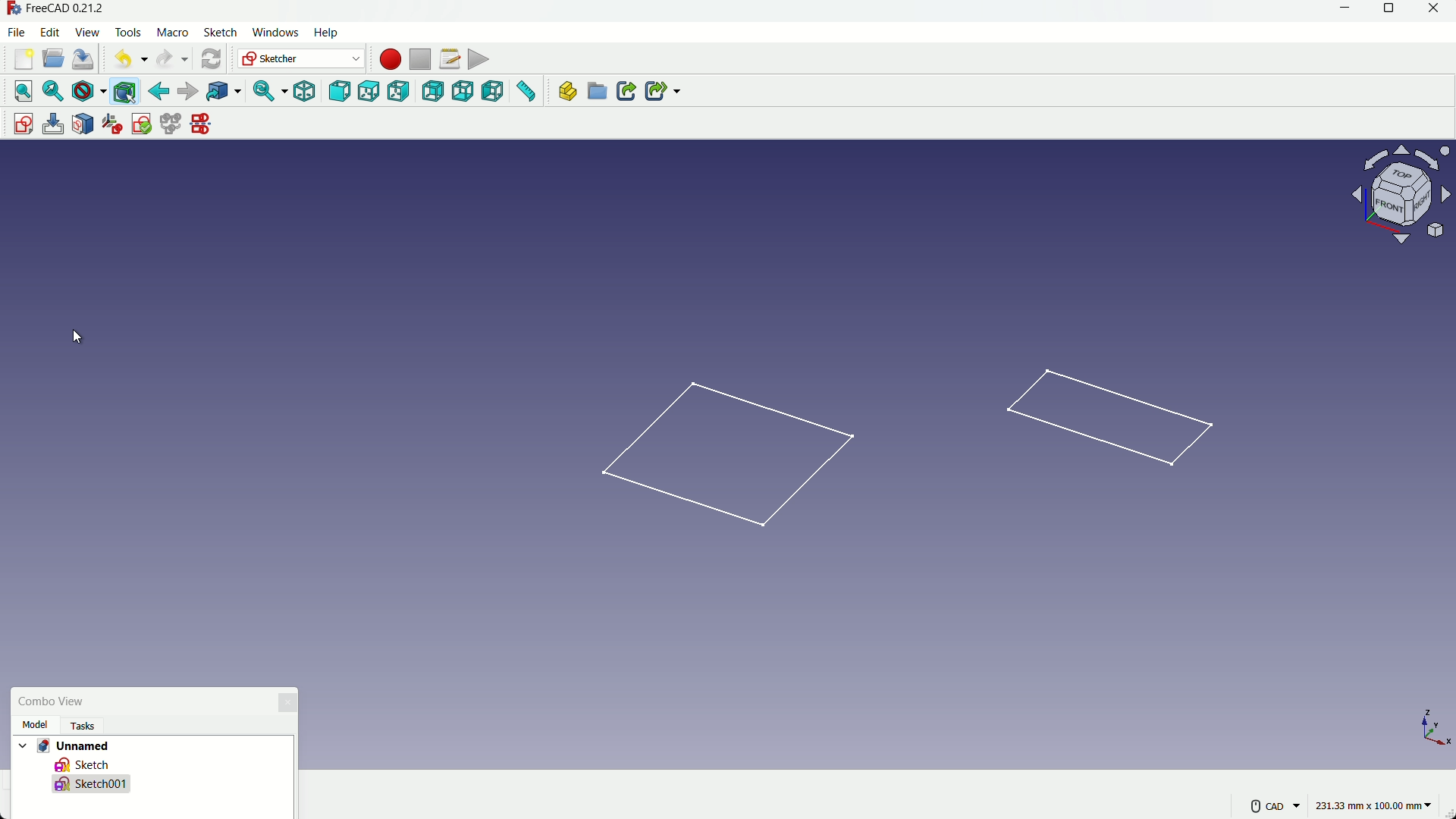 The height and width of the screenshot is (819, 1456). What do you see at coordinates (449, 59) in the screenshot?
I see `macros setting` at bounding box center [449, 59].